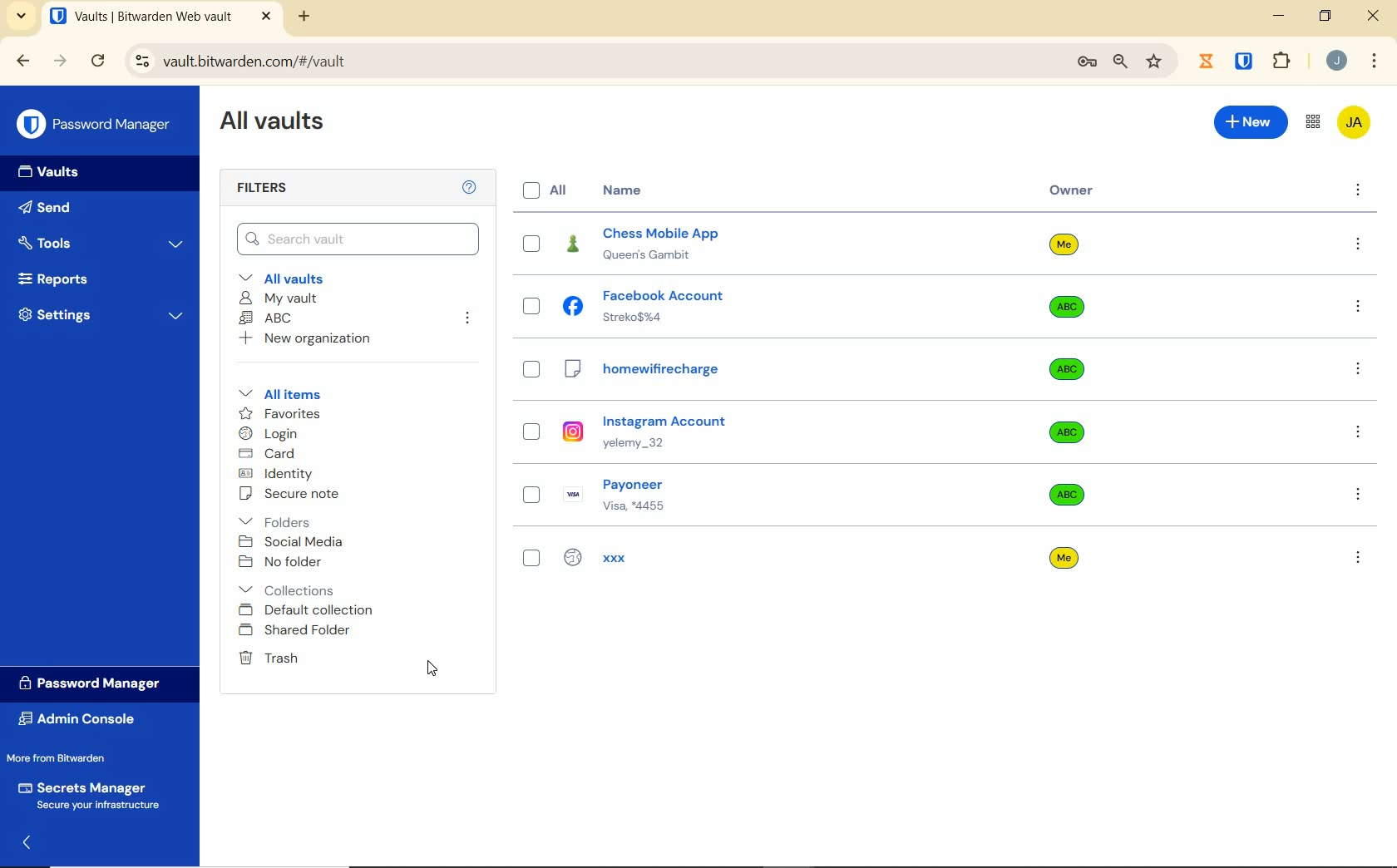 The width and height of the screenshot is (1397, 868). Describe the element at coordinates (313, 340) in the screenshot. I see `New organization` at that location.